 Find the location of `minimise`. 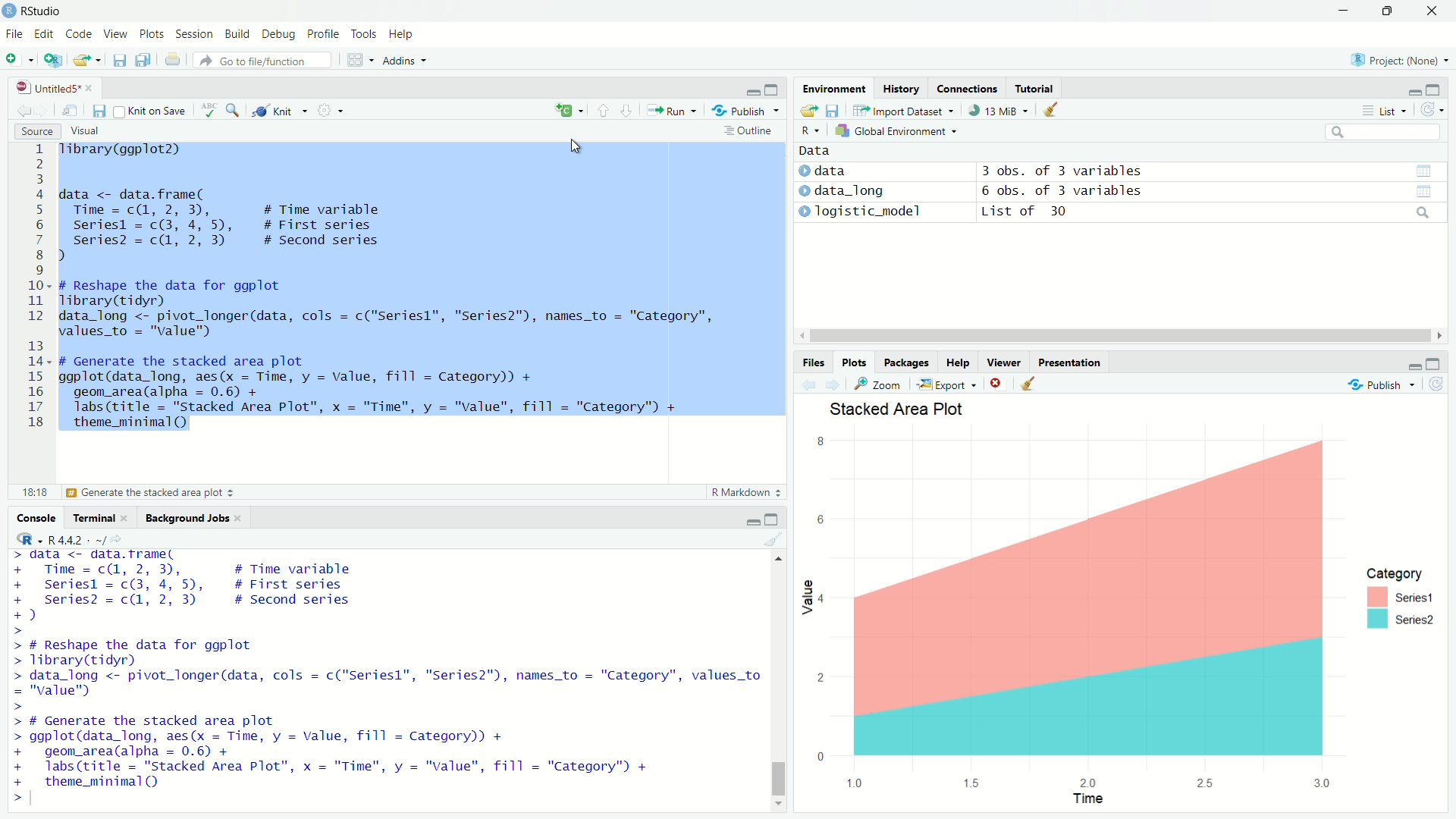

minimise is located at coordinates (1341, 11).